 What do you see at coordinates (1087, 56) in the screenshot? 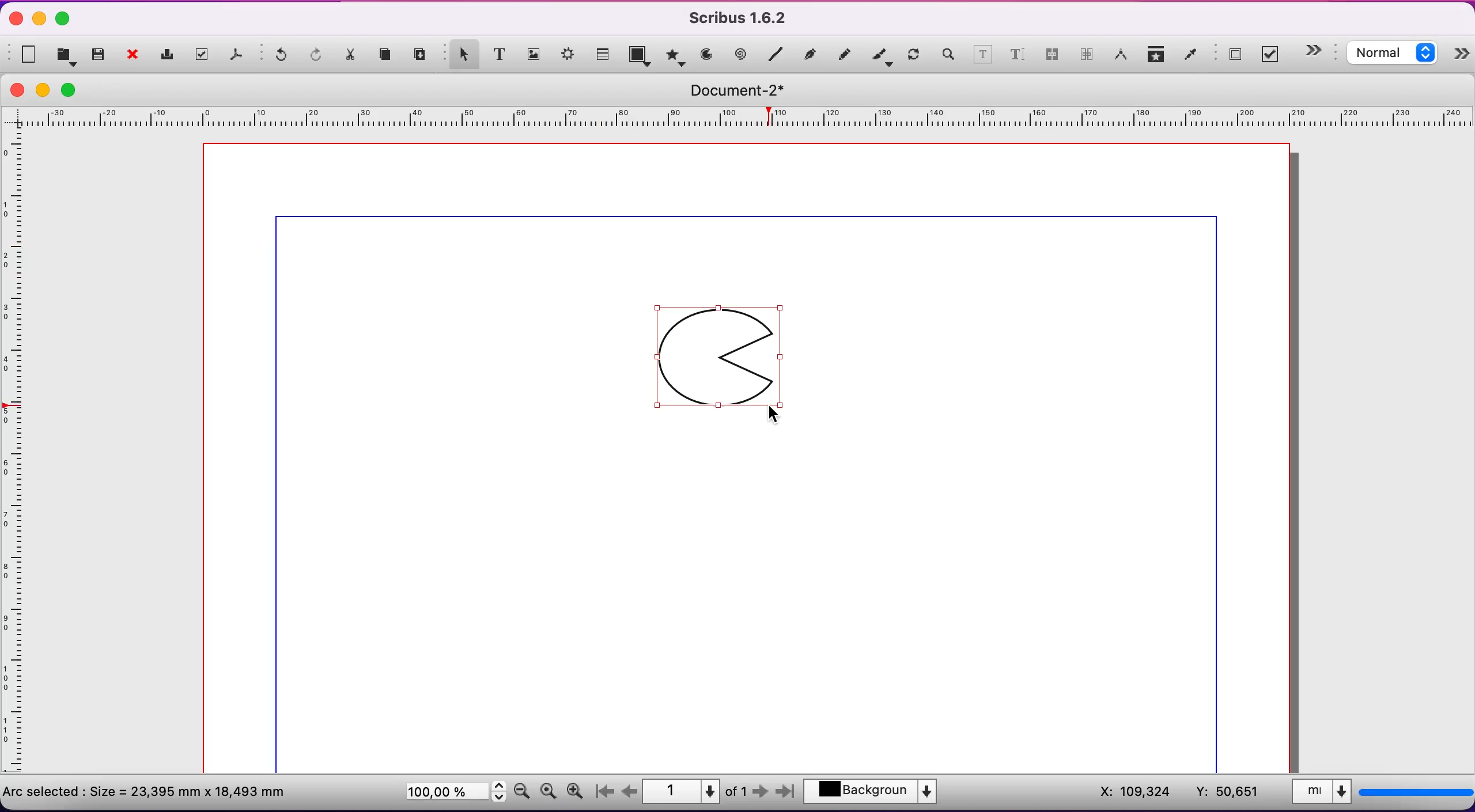
I see `unlink text frames` at bounding box center [1087, 56].